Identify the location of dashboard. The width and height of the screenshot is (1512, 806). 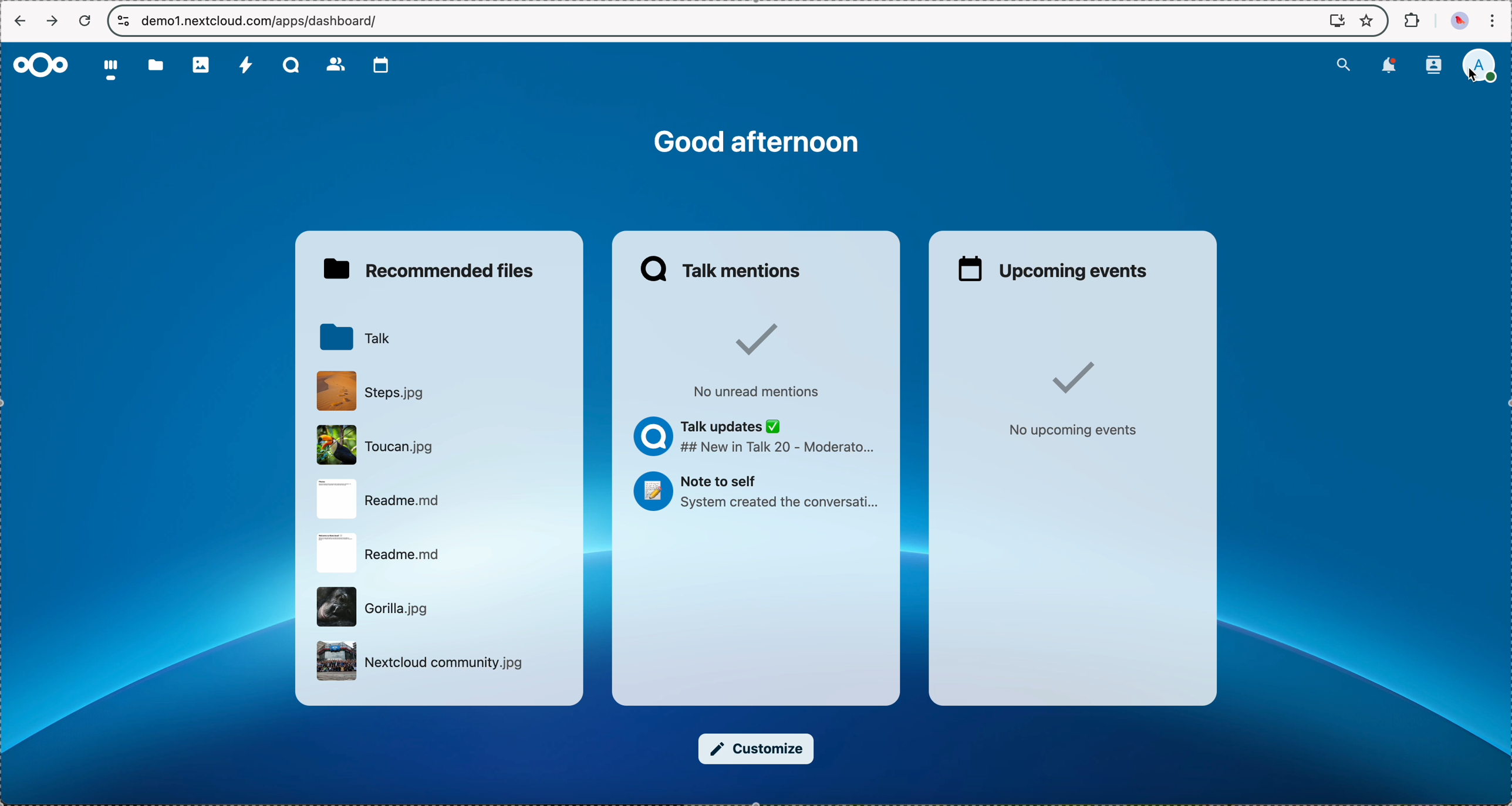
(112, 72).